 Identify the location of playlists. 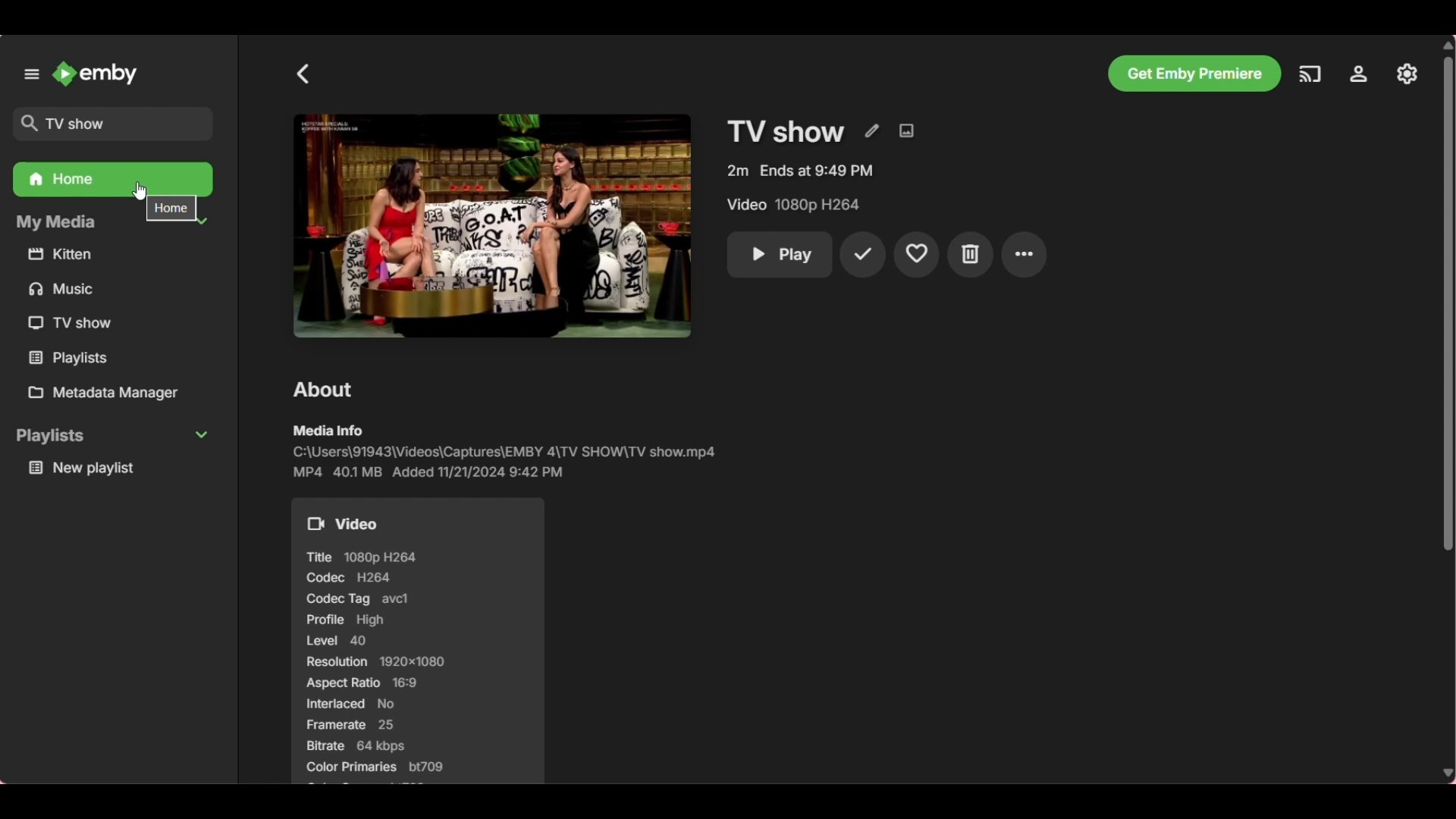
(111, 436).